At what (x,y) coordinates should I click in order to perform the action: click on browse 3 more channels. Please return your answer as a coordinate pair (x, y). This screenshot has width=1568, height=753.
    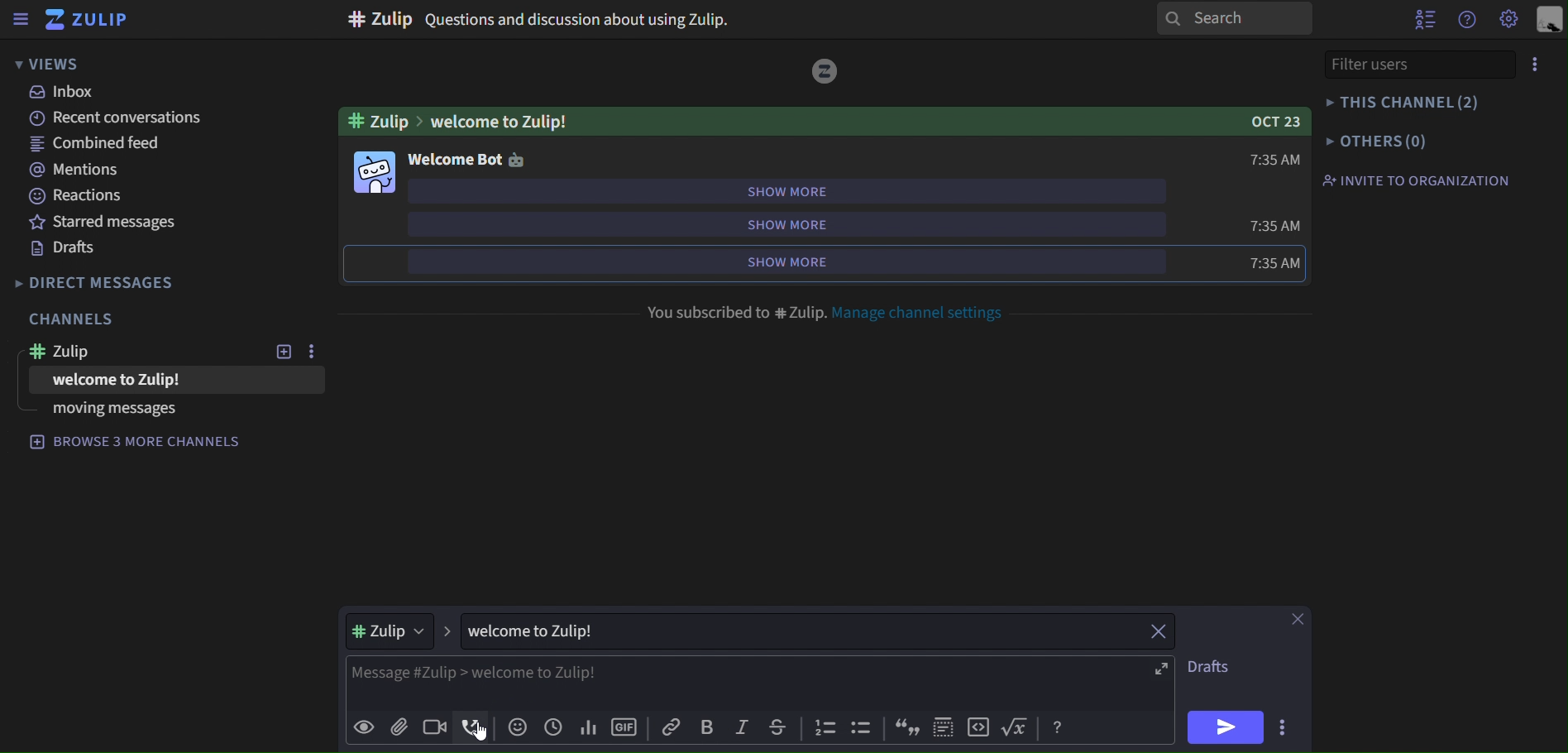
    Looking at the image, I should click on (146, 445).